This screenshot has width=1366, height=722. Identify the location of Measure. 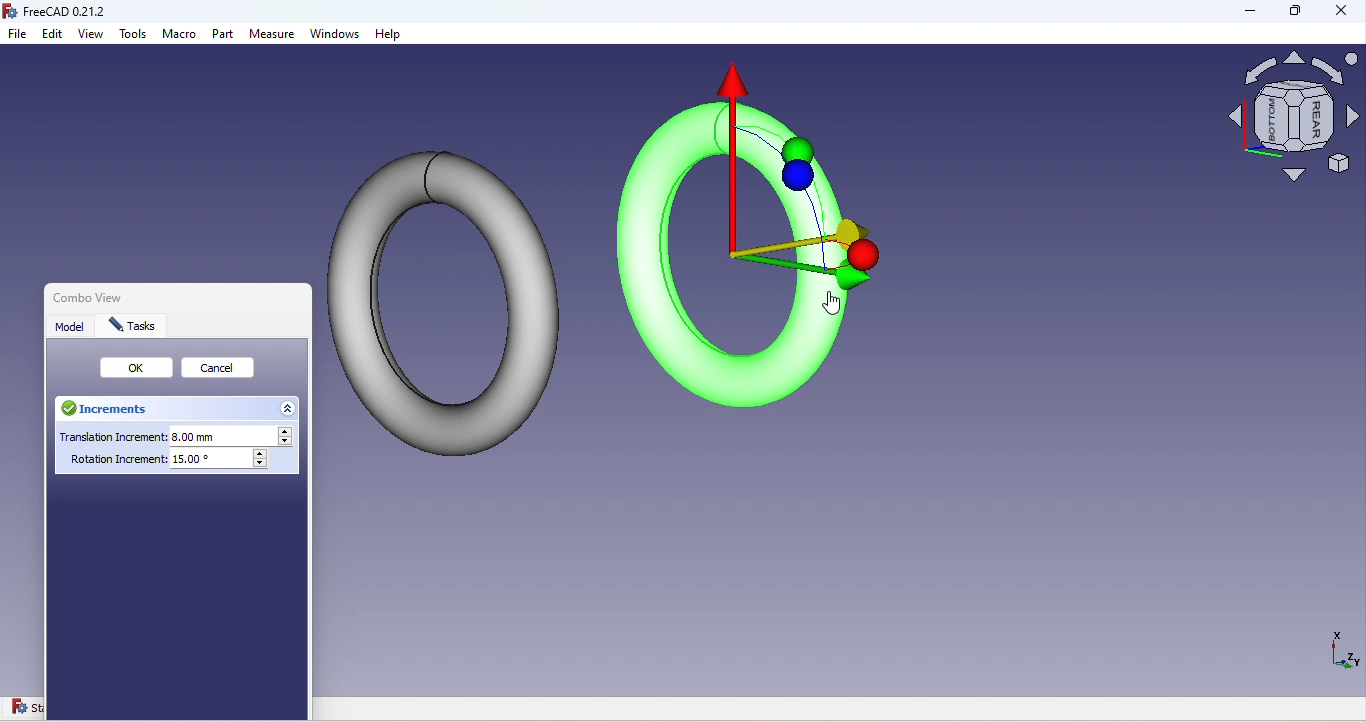
(273, 35).